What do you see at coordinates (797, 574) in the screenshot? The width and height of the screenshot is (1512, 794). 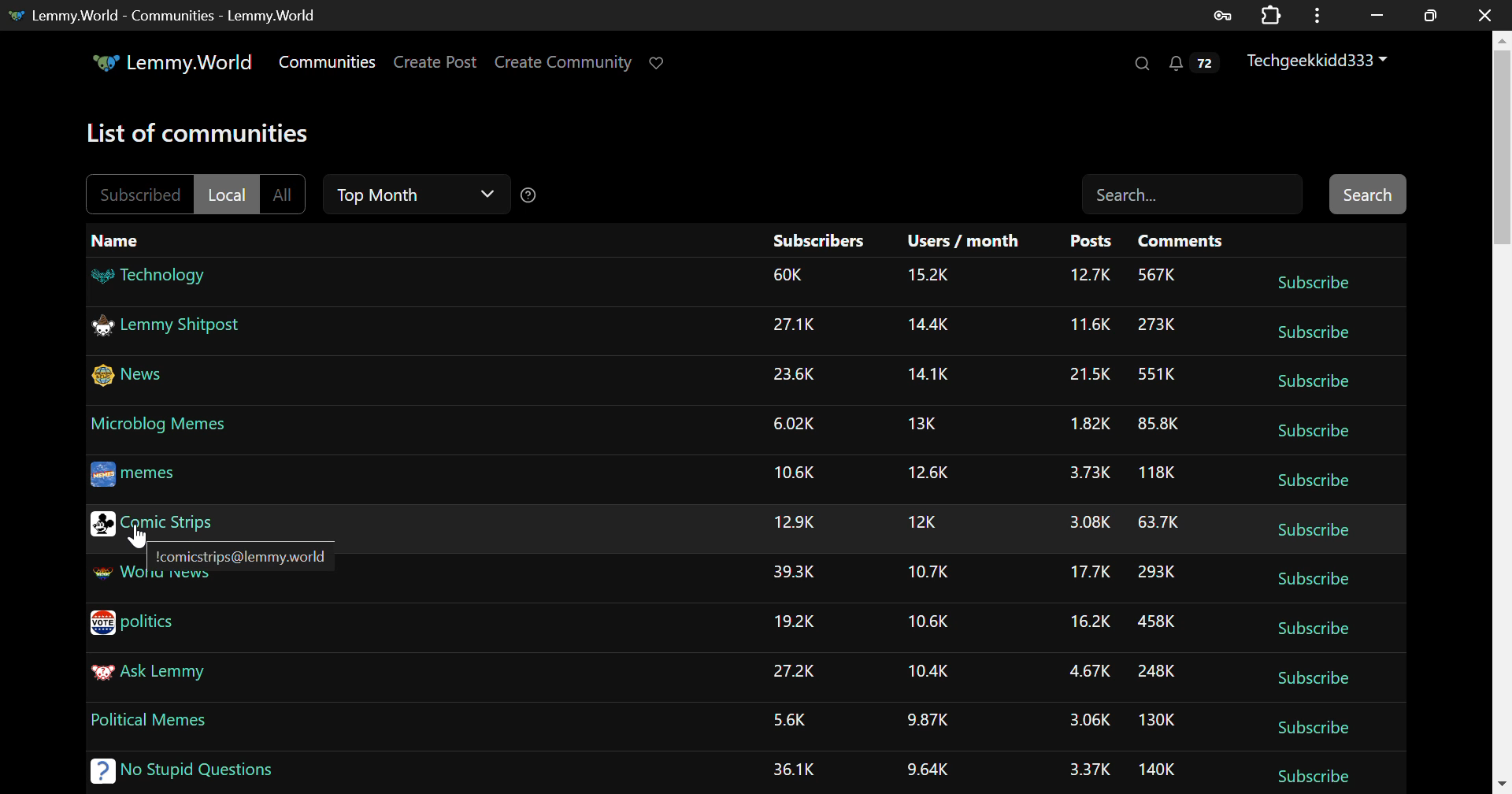 I see `Amount` at bounding box center [797, 574].